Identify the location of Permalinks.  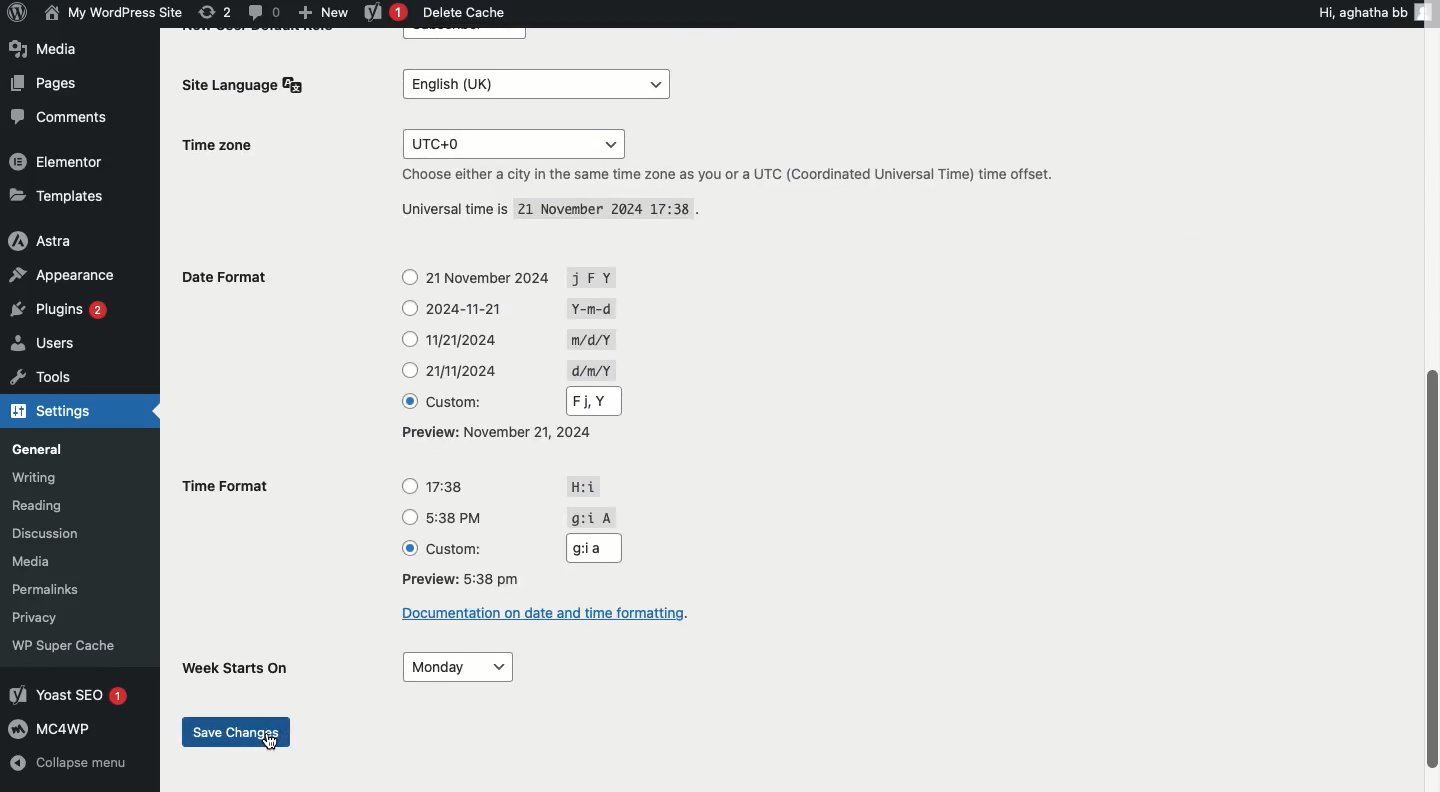
(70, 589).